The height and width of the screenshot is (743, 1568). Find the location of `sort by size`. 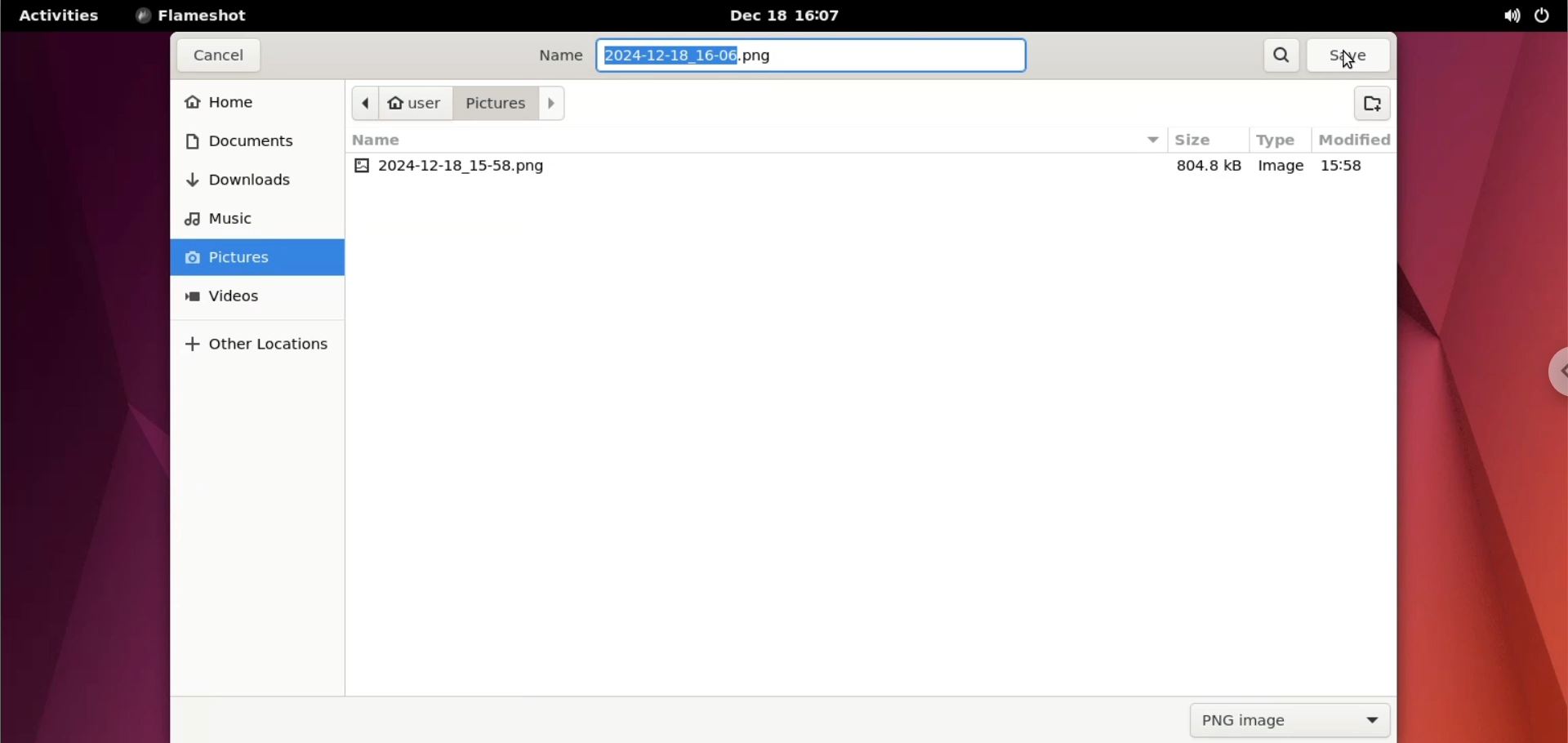

sort by size is located at coordinates (1154, 140).